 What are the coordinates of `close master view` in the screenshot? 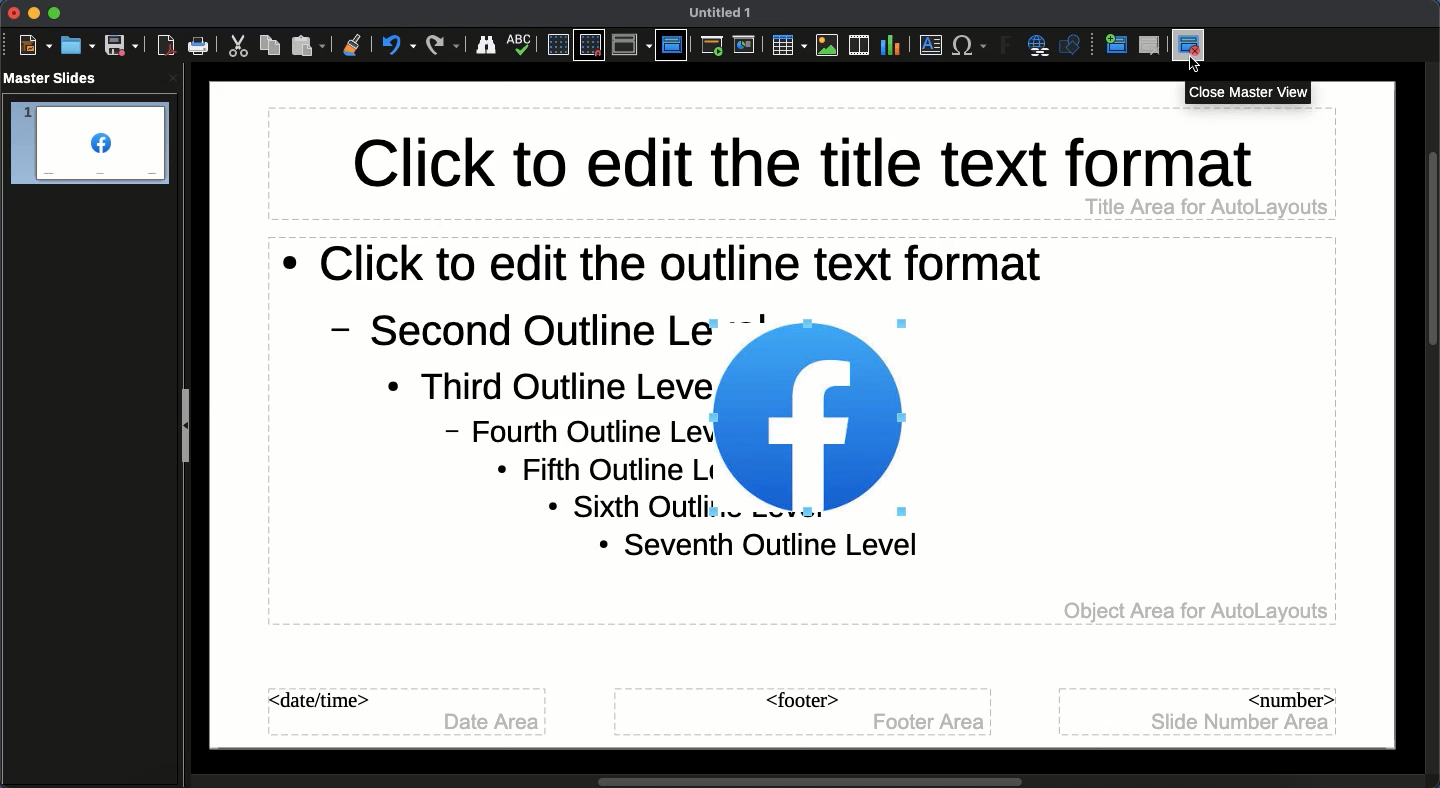 It's located at (1189, 42).